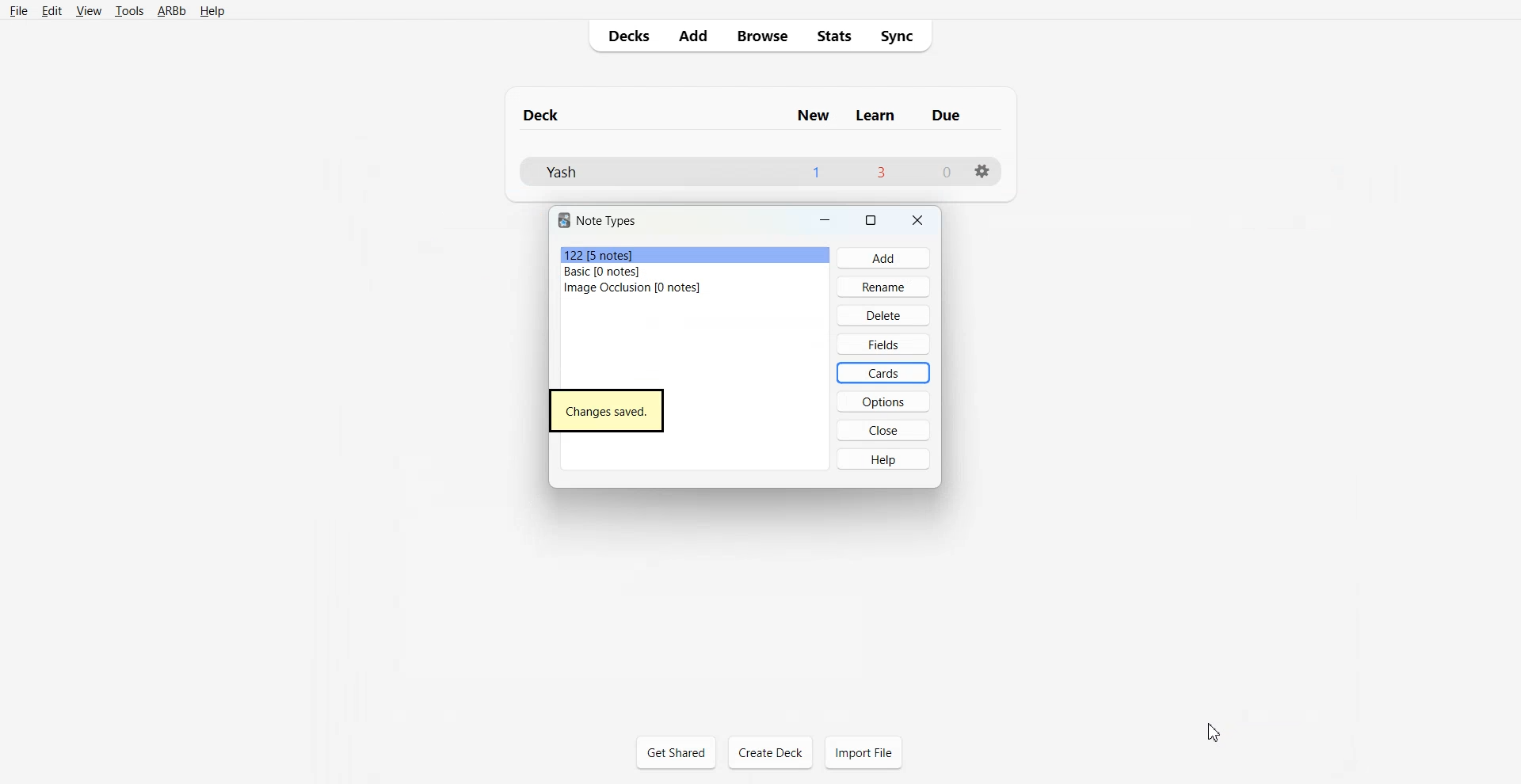  Describe the element at coordinates (882, 258) in the screenshot. I see `add` at that location.